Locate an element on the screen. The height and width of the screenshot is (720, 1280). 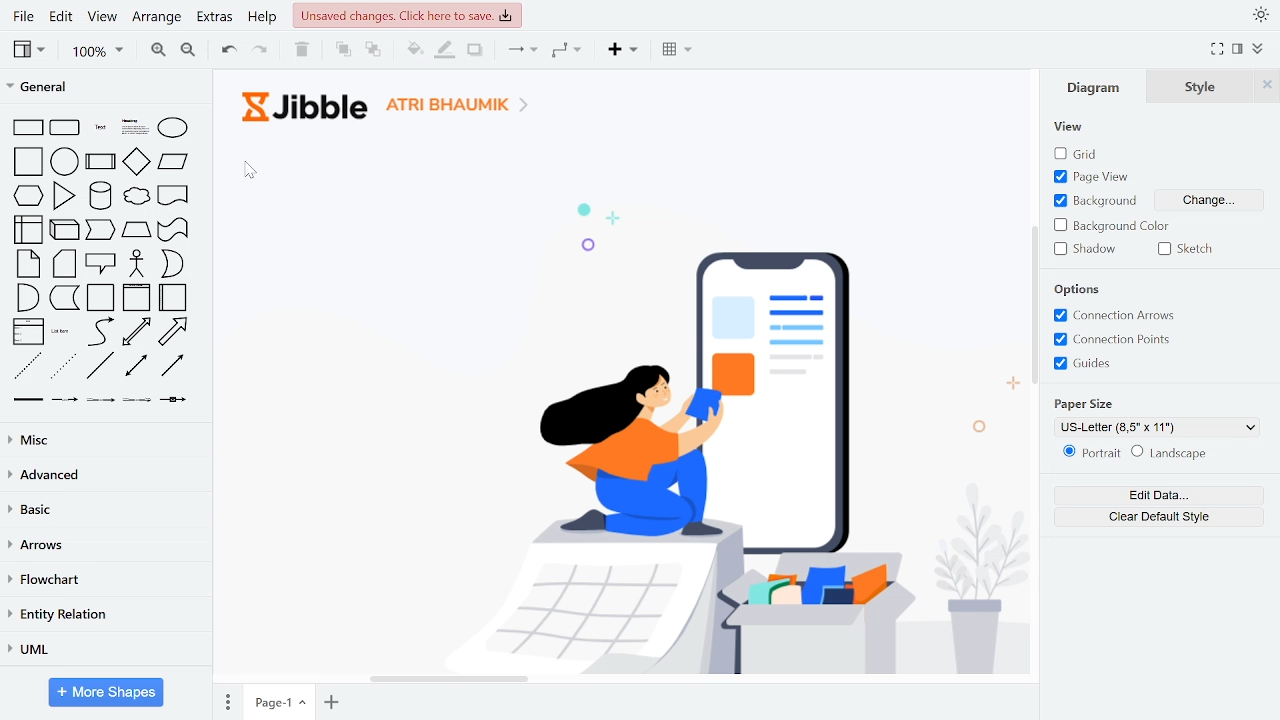
general shapes is located at coordinates (172, 332).